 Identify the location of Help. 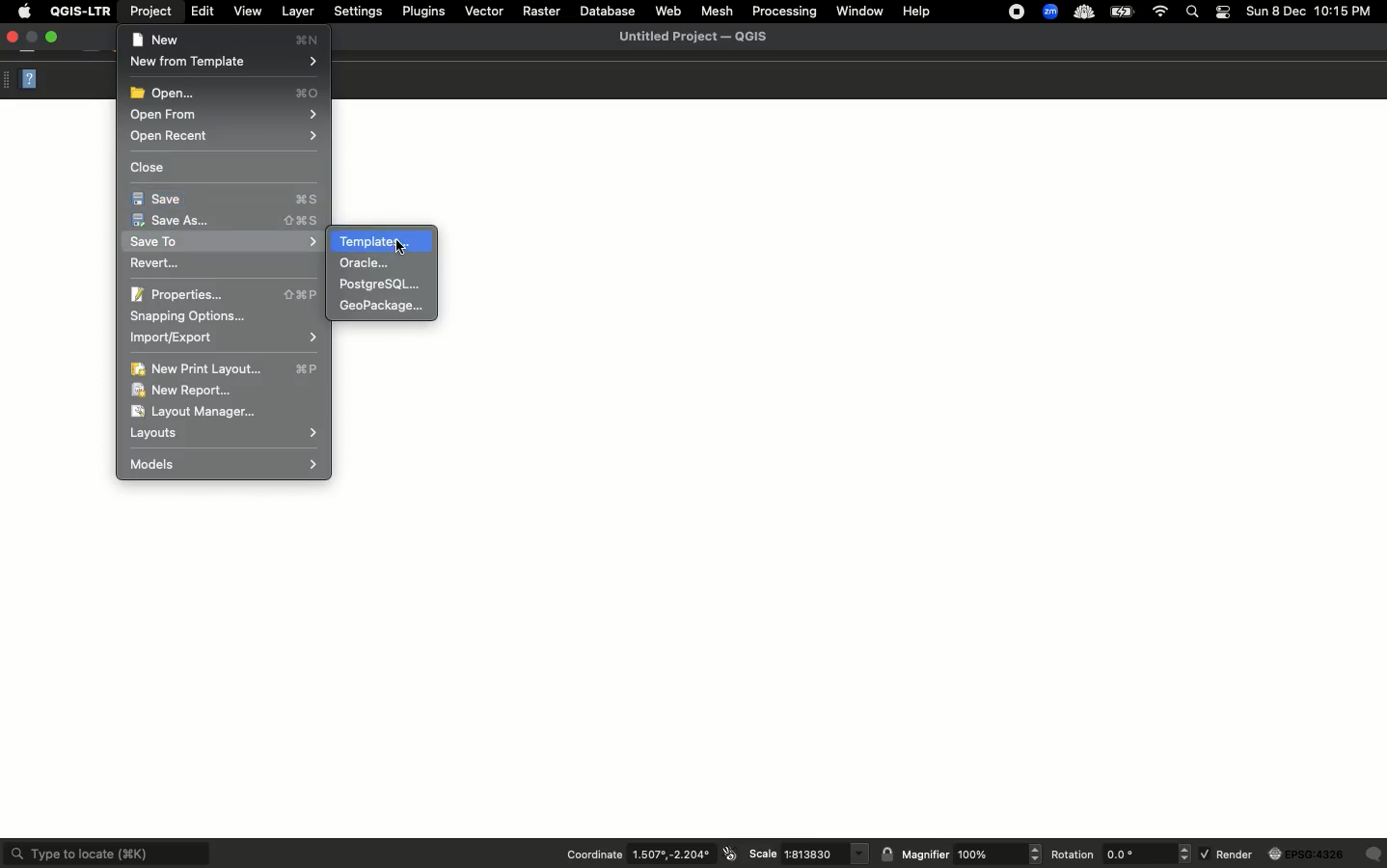
(33, 81).